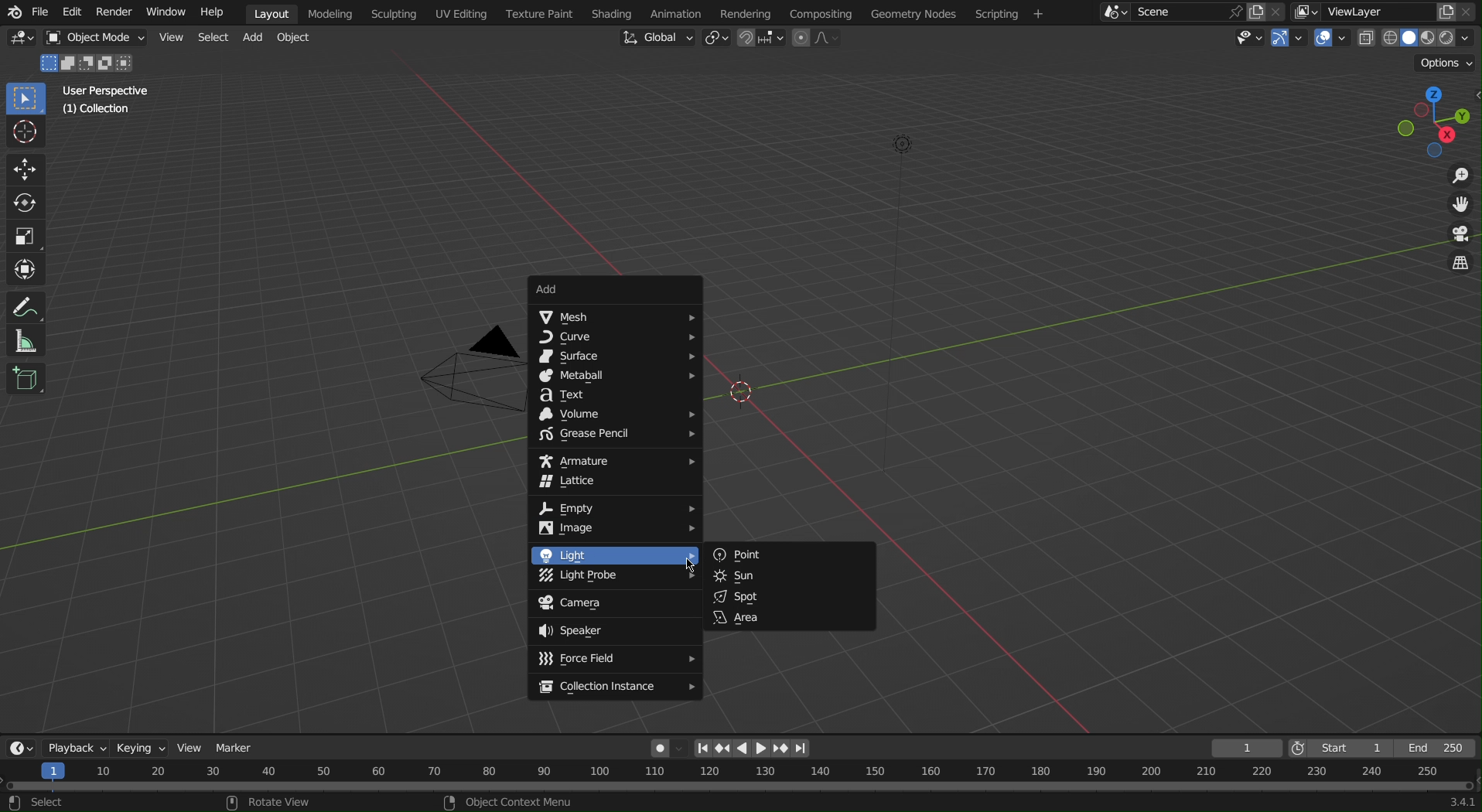 This screenshot has width=1482, height=812. What do you see at coordinates (616, 289) in the screenshot?
I see `Add` at bounding box center [616, 289].